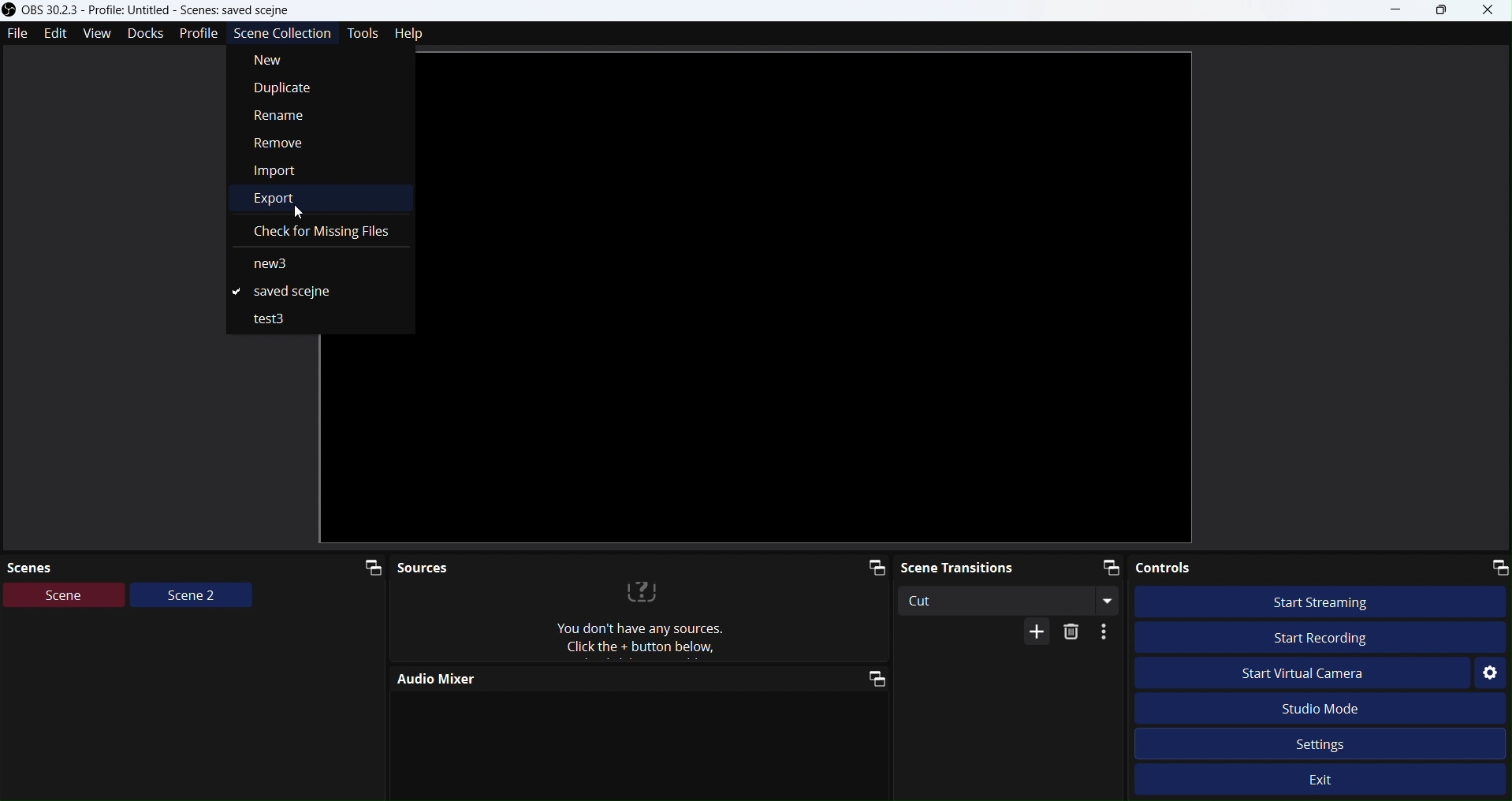  Describe the element at coordinates (412, 32) in the screenshot. I see `Help` at that location.